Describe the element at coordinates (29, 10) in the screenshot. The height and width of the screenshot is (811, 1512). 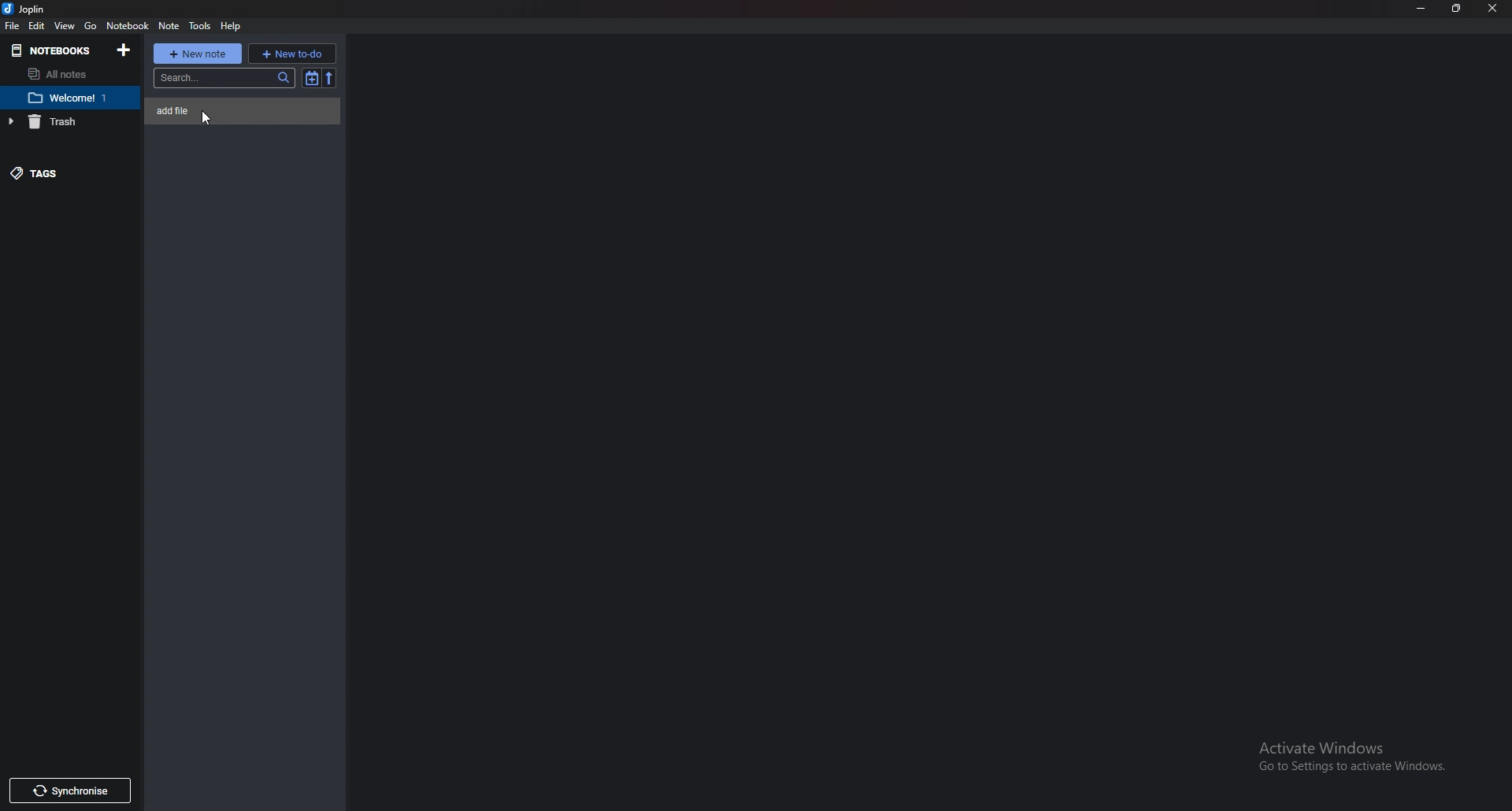
I see `joplin` at that location.